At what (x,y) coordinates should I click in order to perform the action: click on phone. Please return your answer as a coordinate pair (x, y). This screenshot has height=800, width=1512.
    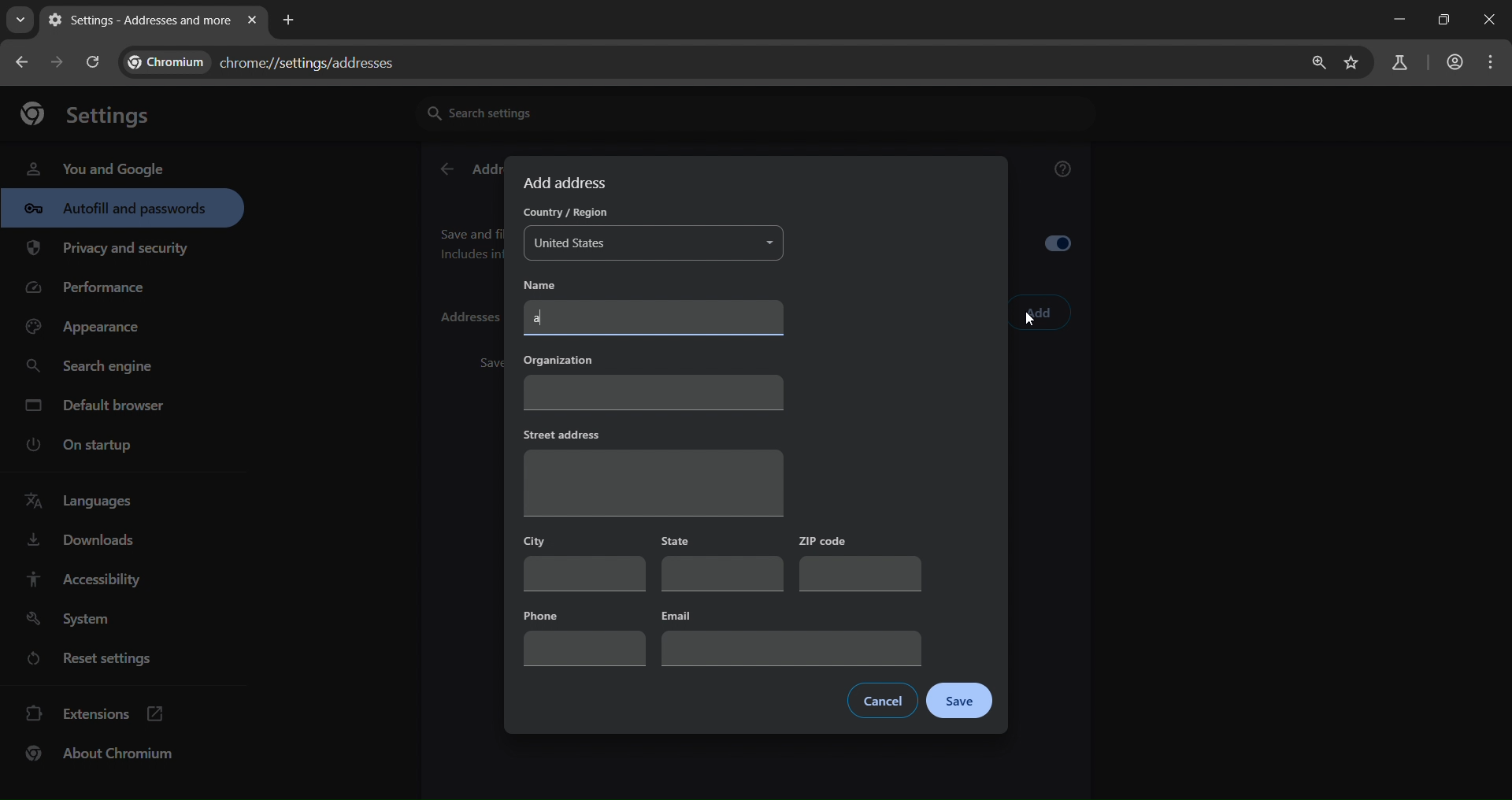
    Looking at the image, I should click on (583, 635).